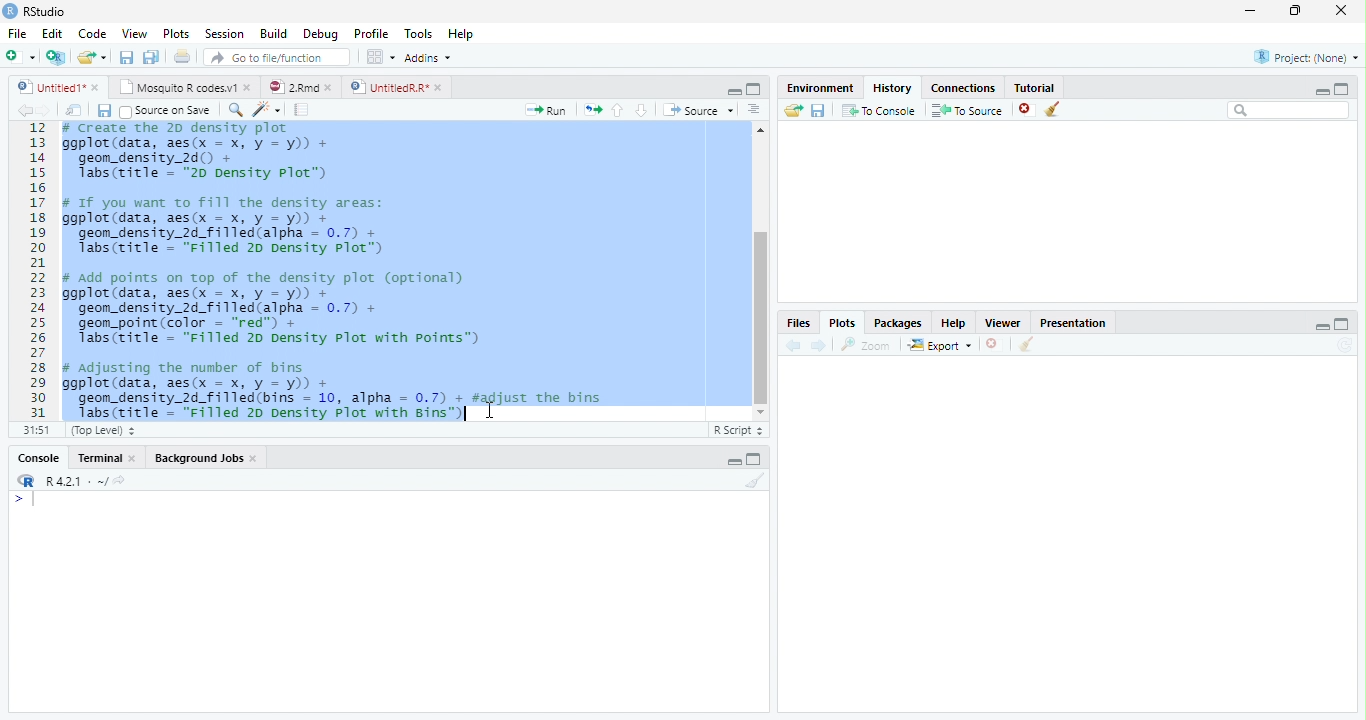 The image size is (1366, 720). Describe the element at coordinates (1289, 110) in the screenshot. I see `Search` at that location.